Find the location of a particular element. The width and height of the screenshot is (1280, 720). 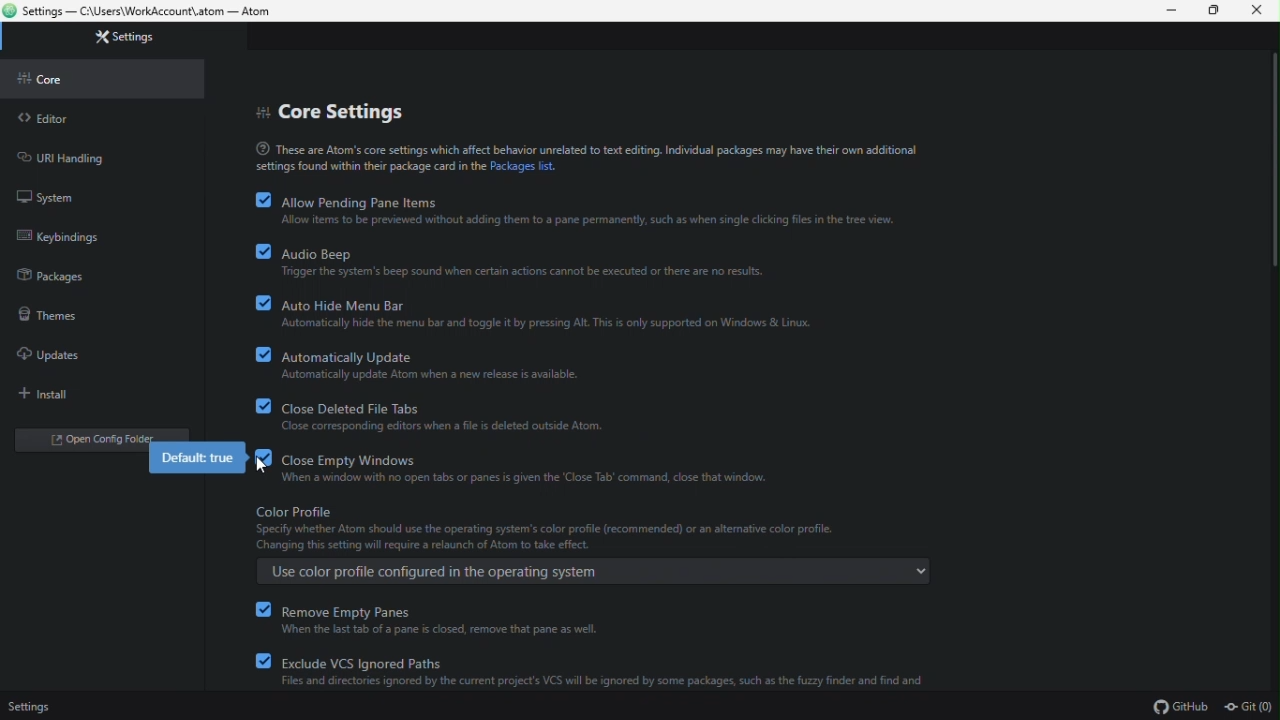

core is located at coordinates (49, 79).